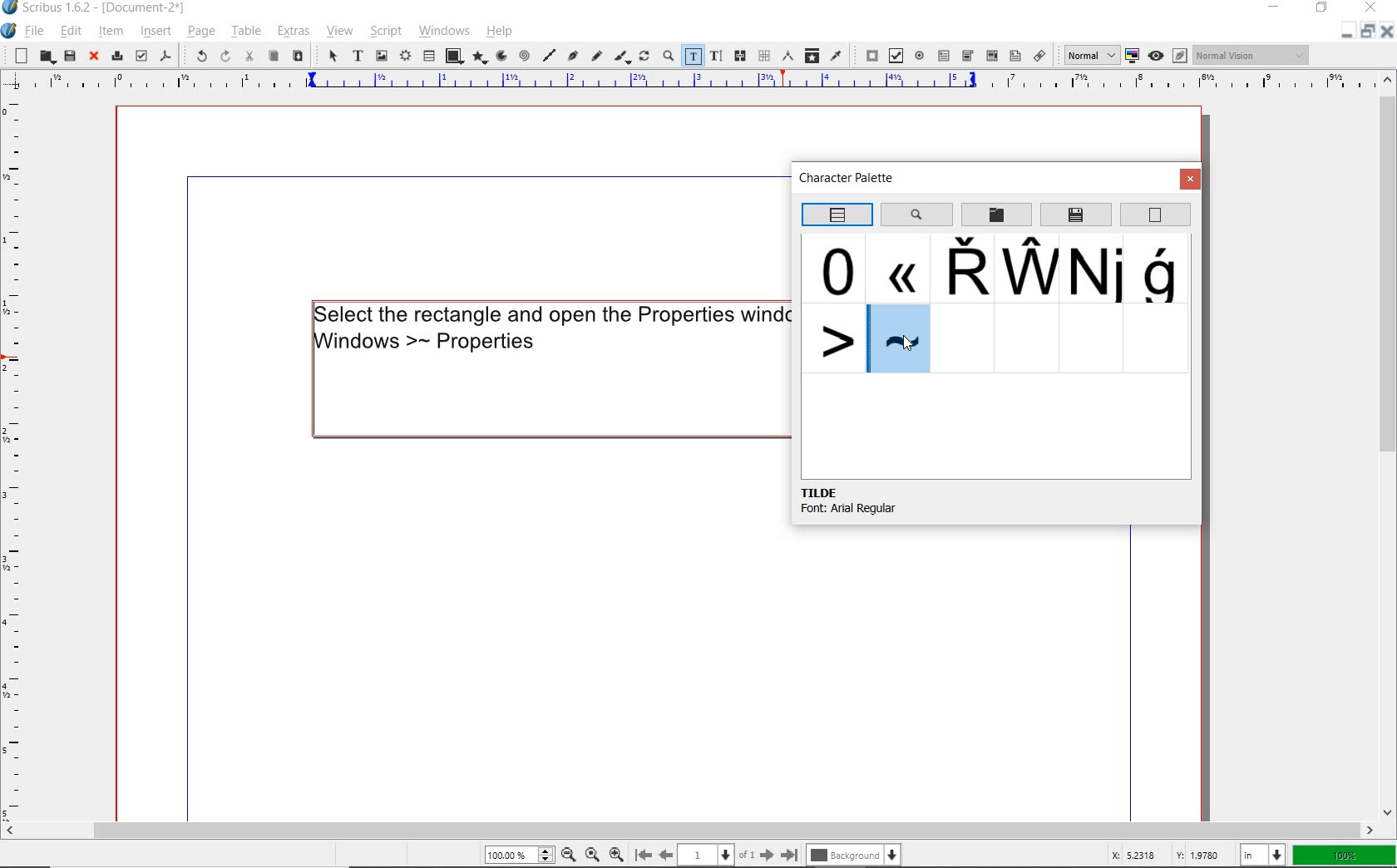  What do you see at coordinates (666, 855) in the screenshot?
I see `got to previous page` at bounding box center [666, 855].